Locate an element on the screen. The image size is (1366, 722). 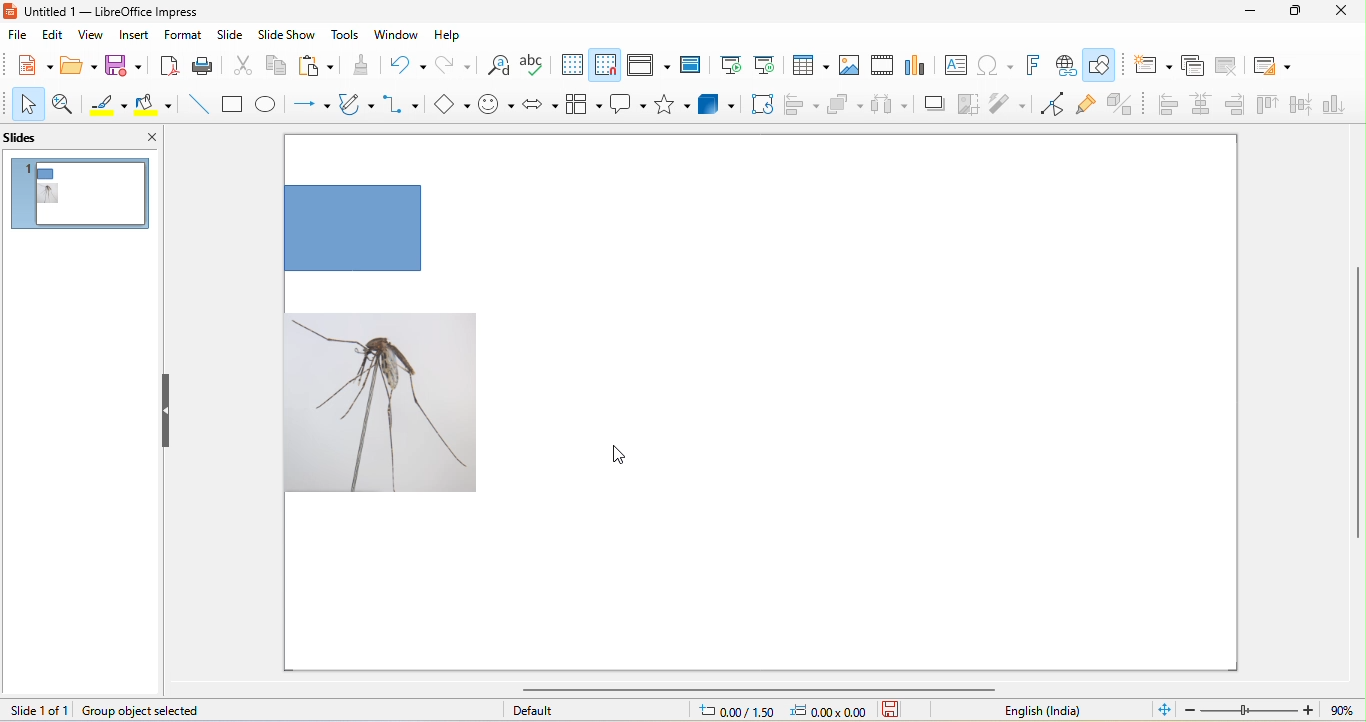
table is located at coordinates (811, 64).